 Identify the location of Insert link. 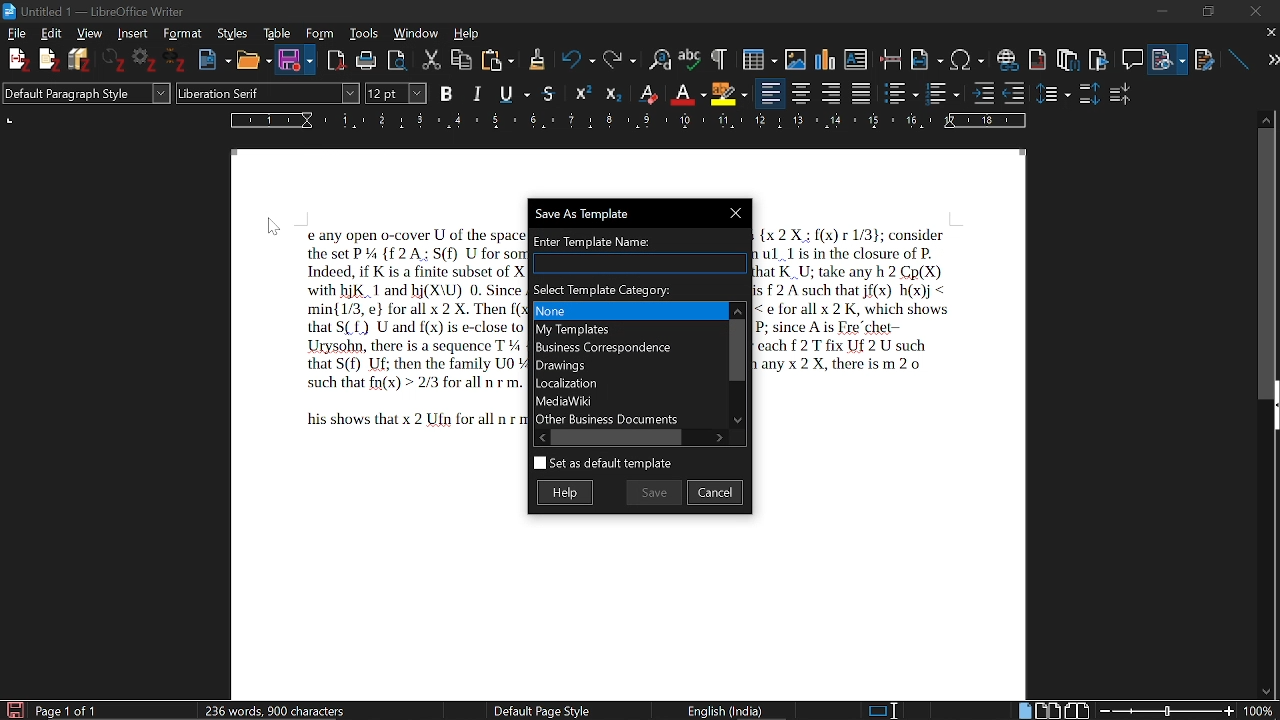
(1007, 56).